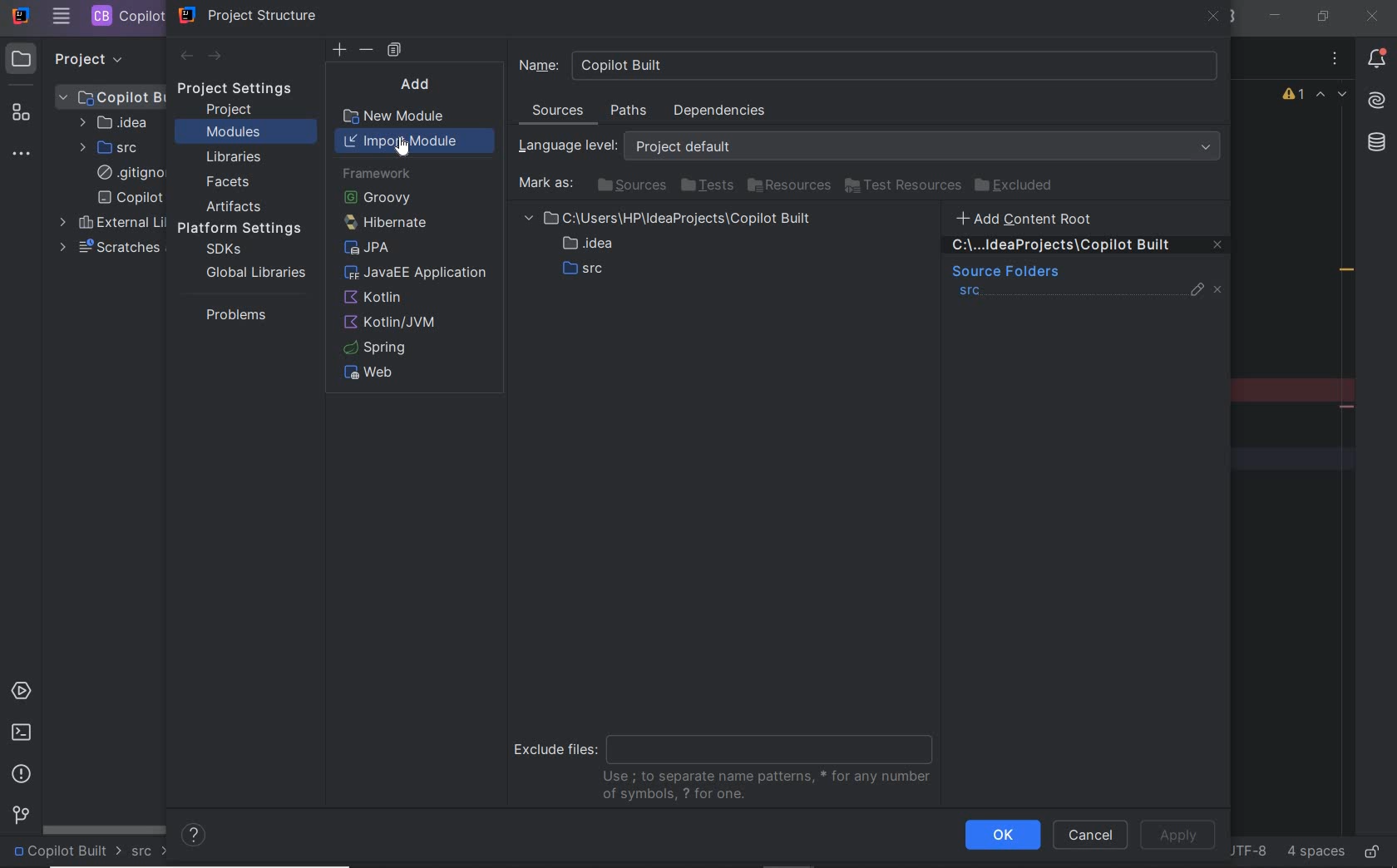 This screenshot has width=1397, height=868. What do you see at coordinates (1332, 96) in the screenshot?
I see `highlighted errors` at bounding box center [1332, 96].